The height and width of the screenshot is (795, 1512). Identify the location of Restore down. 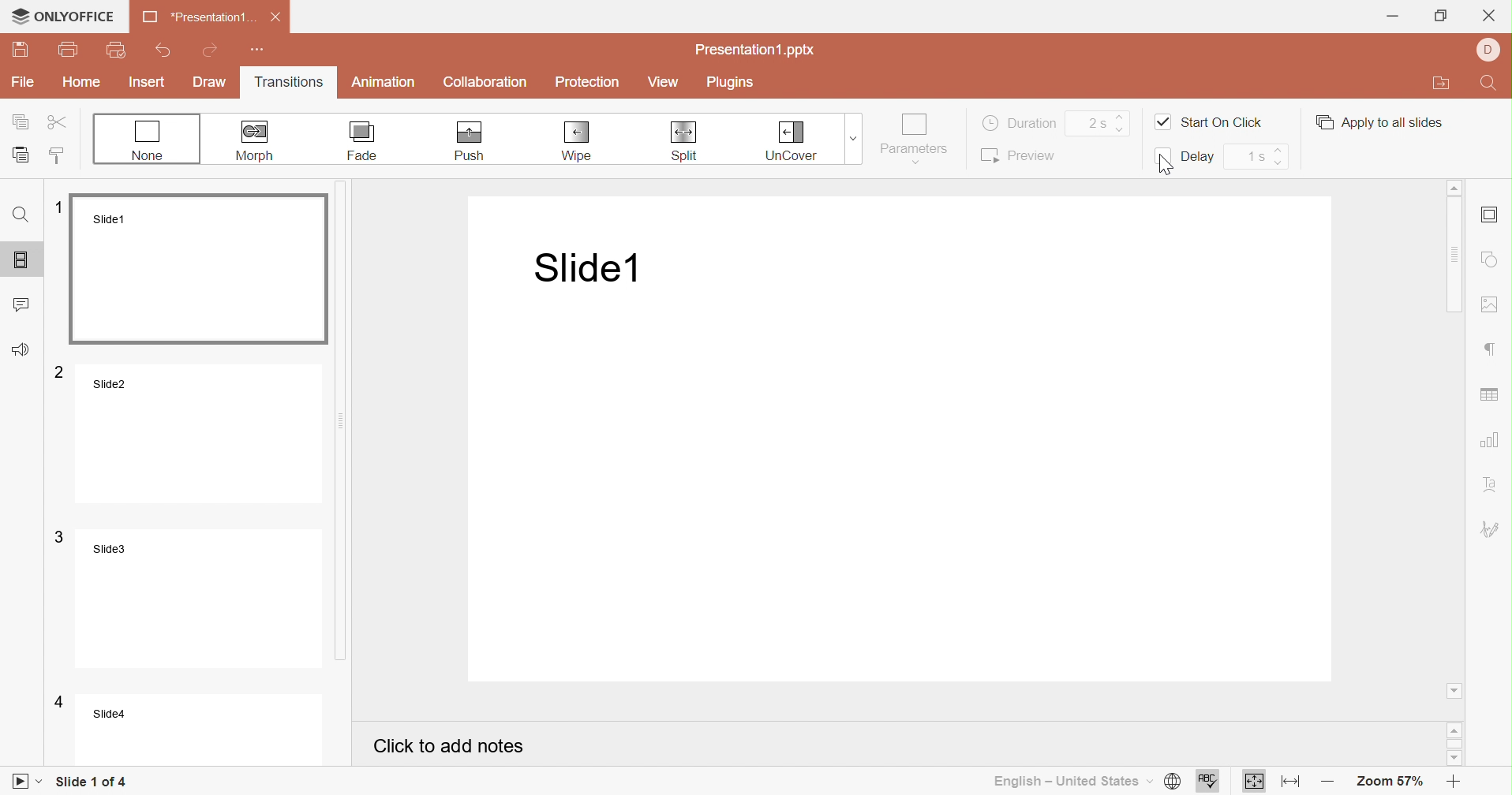
(1441, 17).